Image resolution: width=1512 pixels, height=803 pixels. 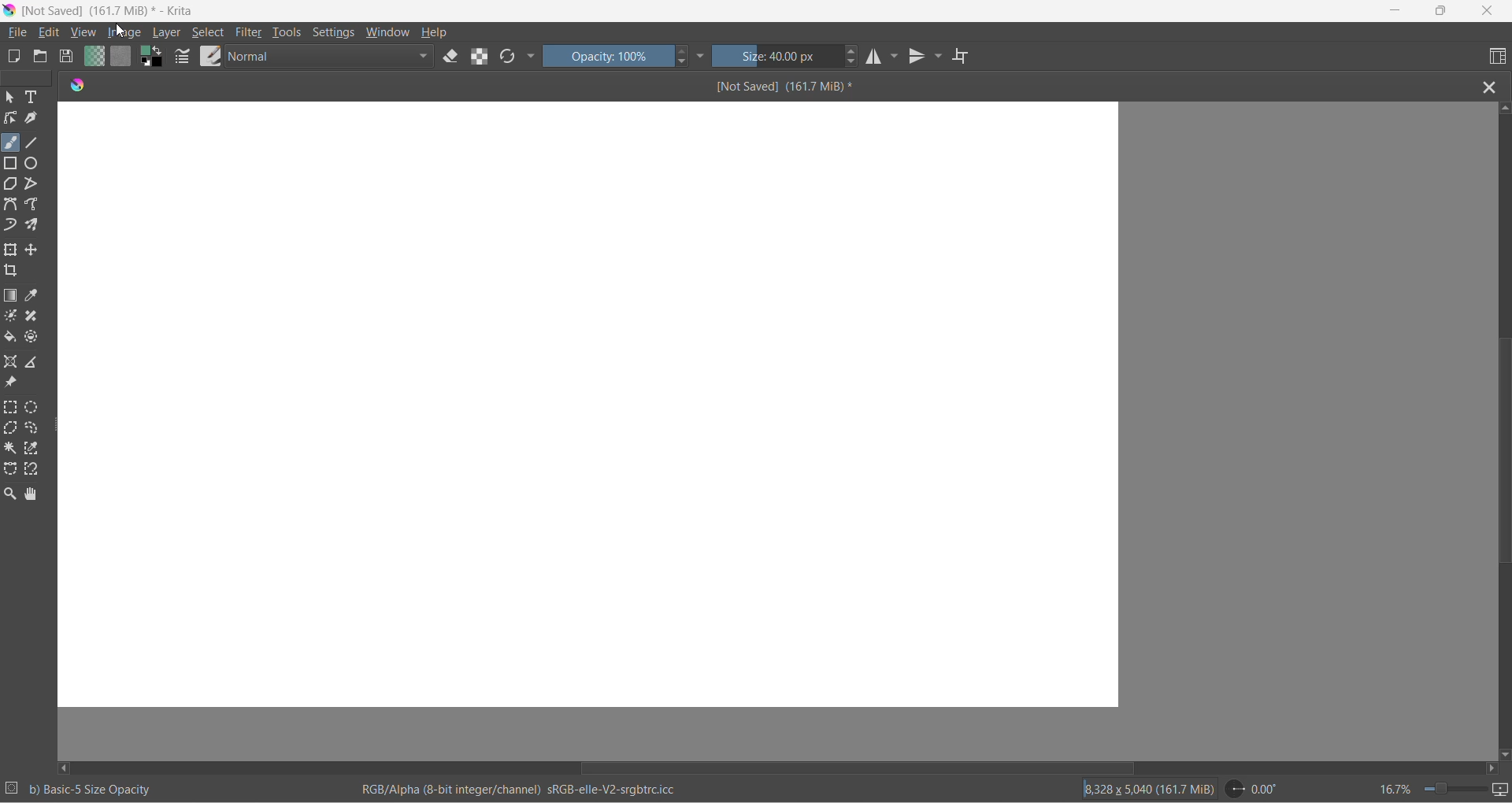 I want to click on tools, so click(x=289, y=35).